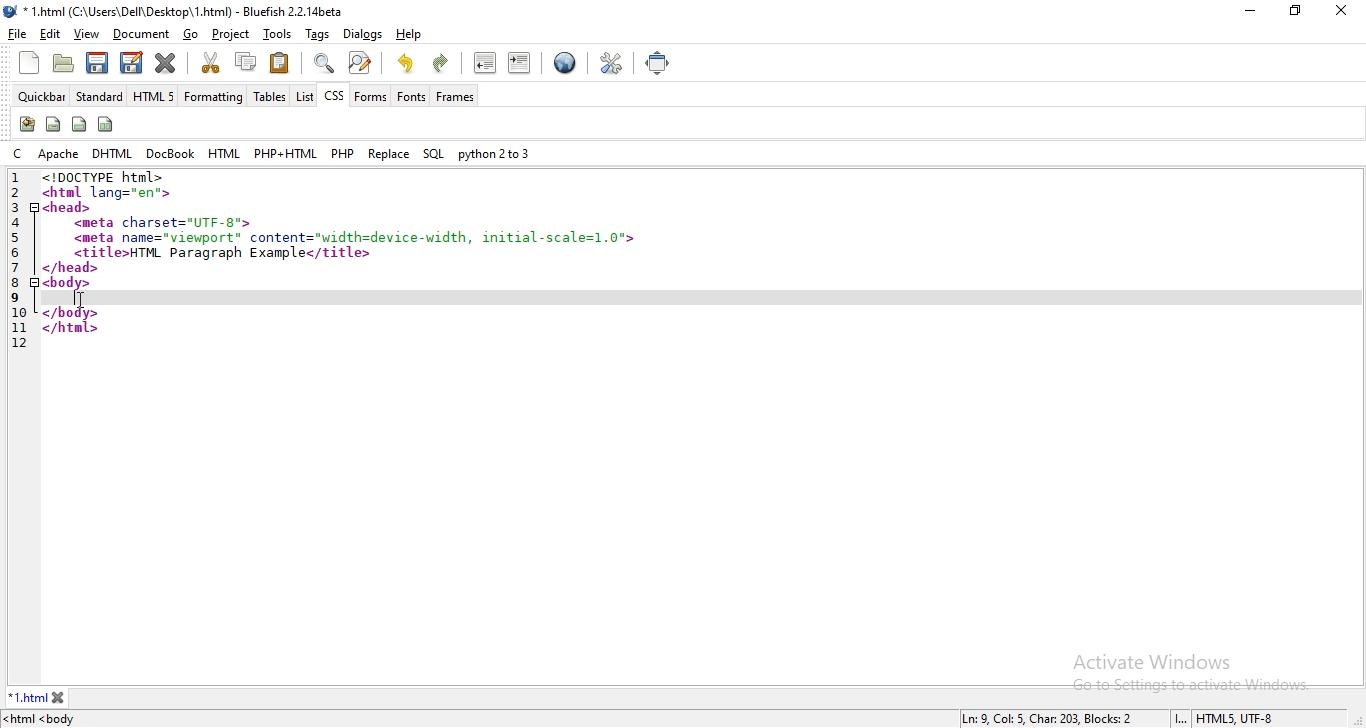 The height and width of the screenshot is (728, 1366). Describe the element at coordinates (58, 153) in the screenshot. I see `apache` at that location.